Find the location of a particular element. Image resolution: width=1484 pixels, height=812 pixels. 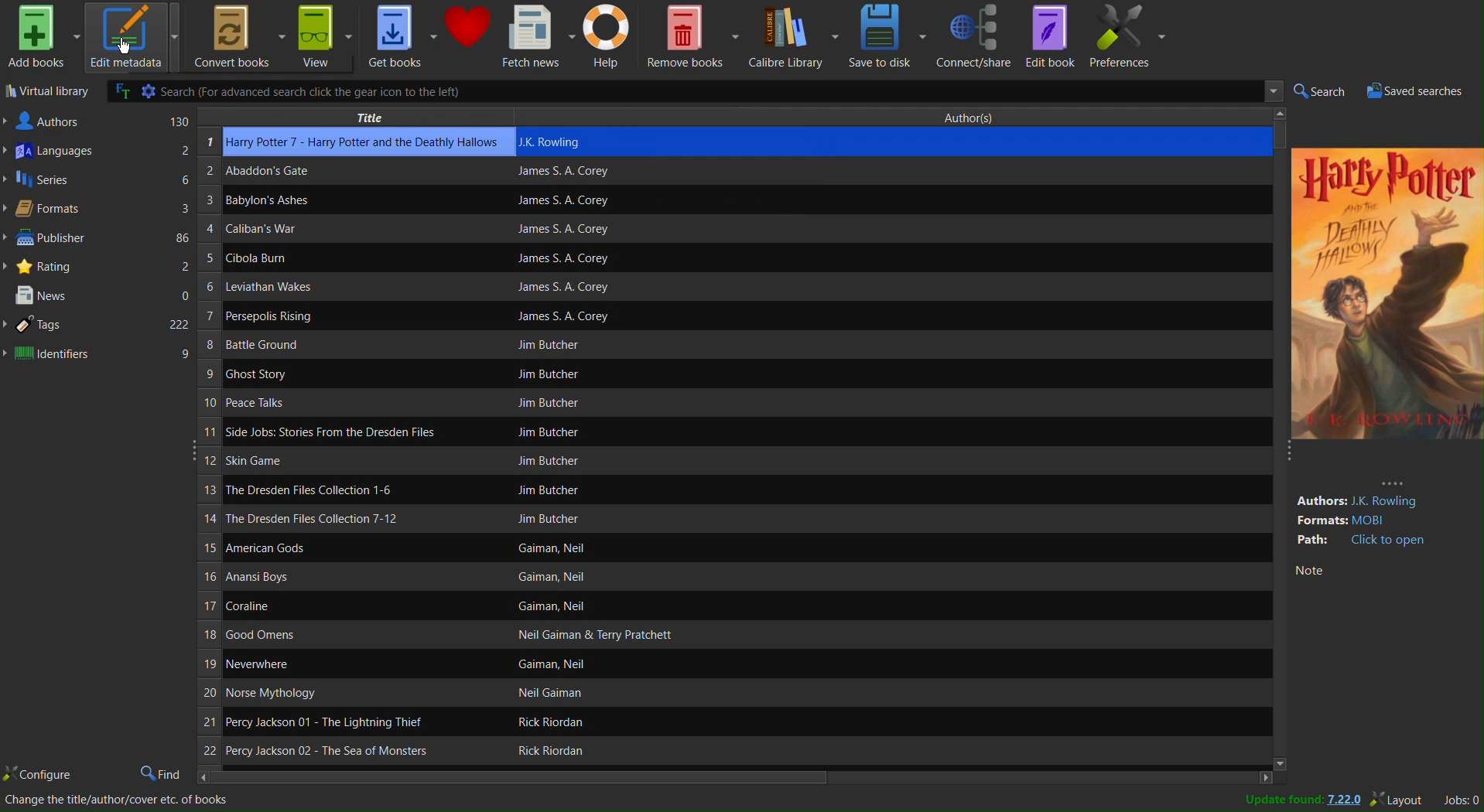

Find is located at coordinates (160, 771).